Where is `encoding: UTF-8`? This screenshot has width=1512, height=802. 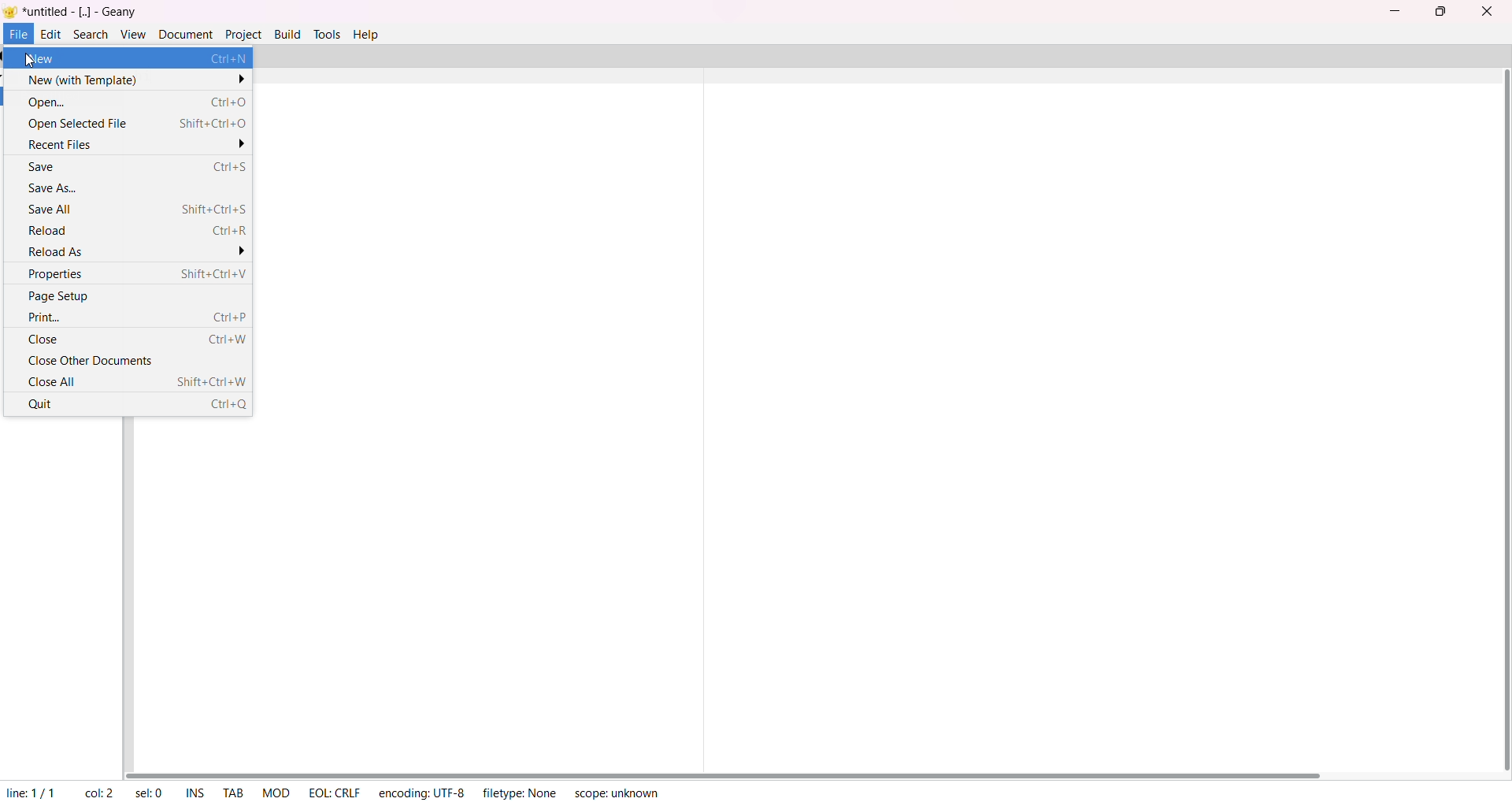 encoding: UTF-8 is located at coordinates (421, 793).